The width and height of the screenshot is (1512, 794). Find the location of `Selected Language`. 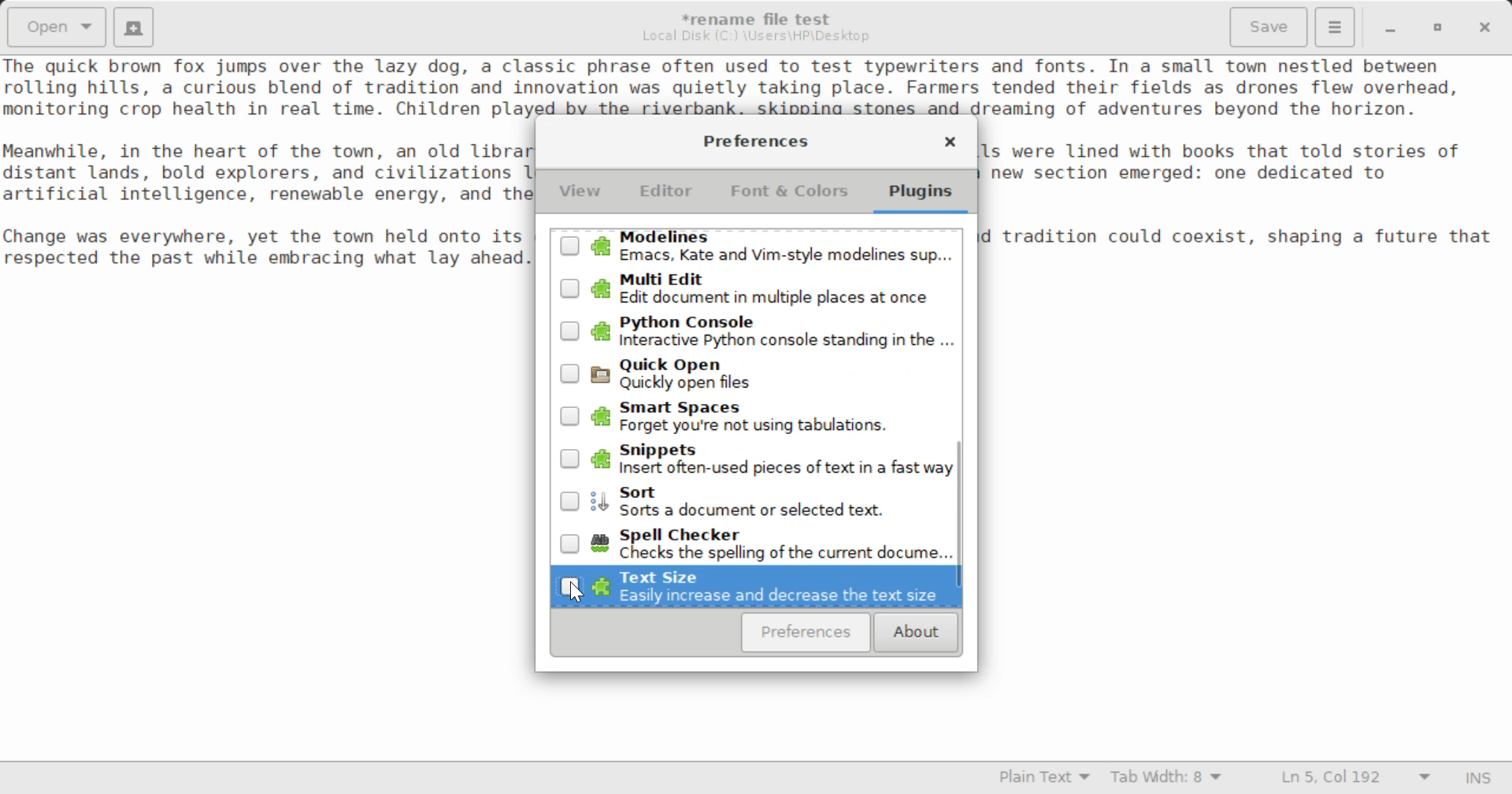

Selected Language is located at coordinates (1045, 779).